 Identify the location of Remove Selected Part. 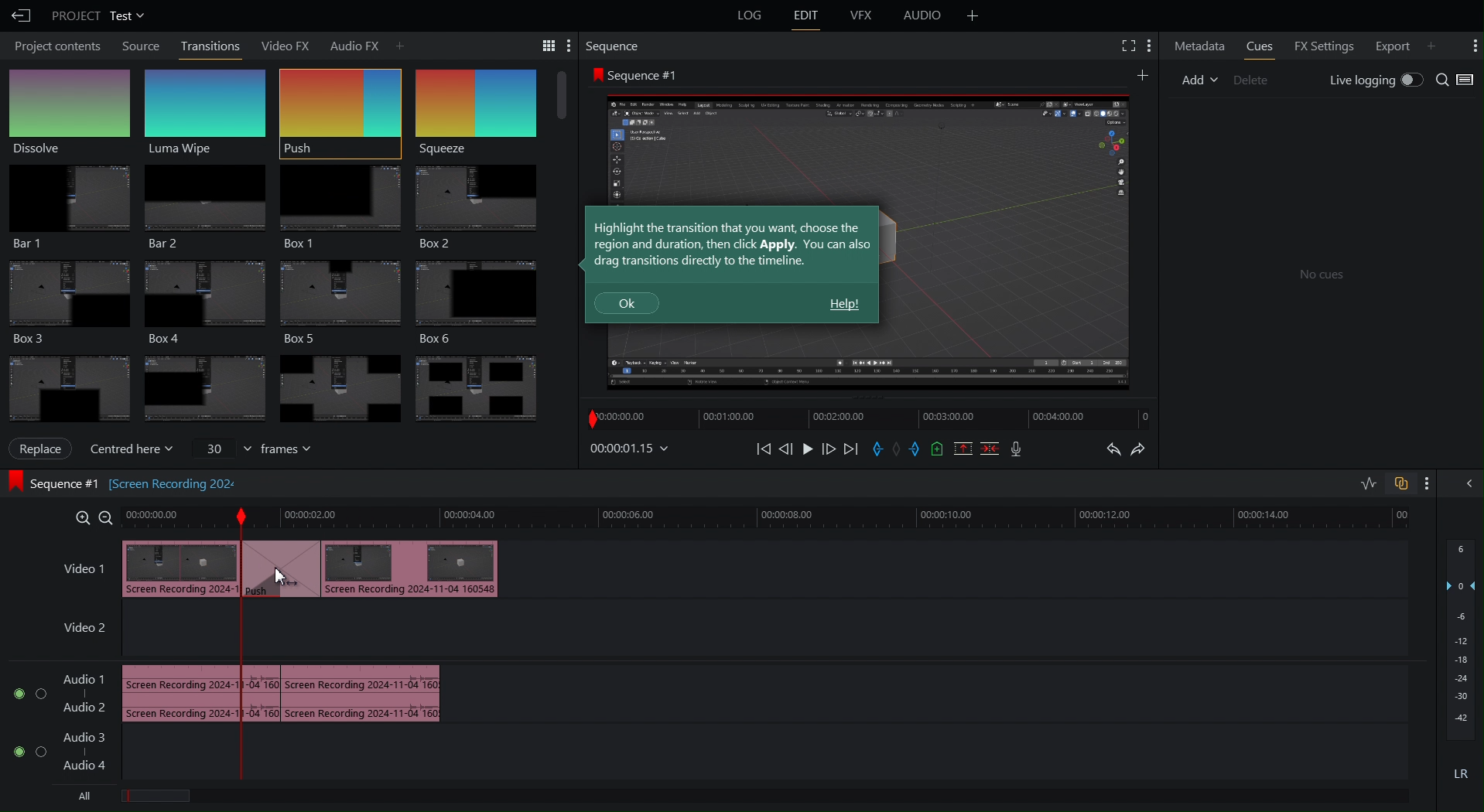
(962, 448).